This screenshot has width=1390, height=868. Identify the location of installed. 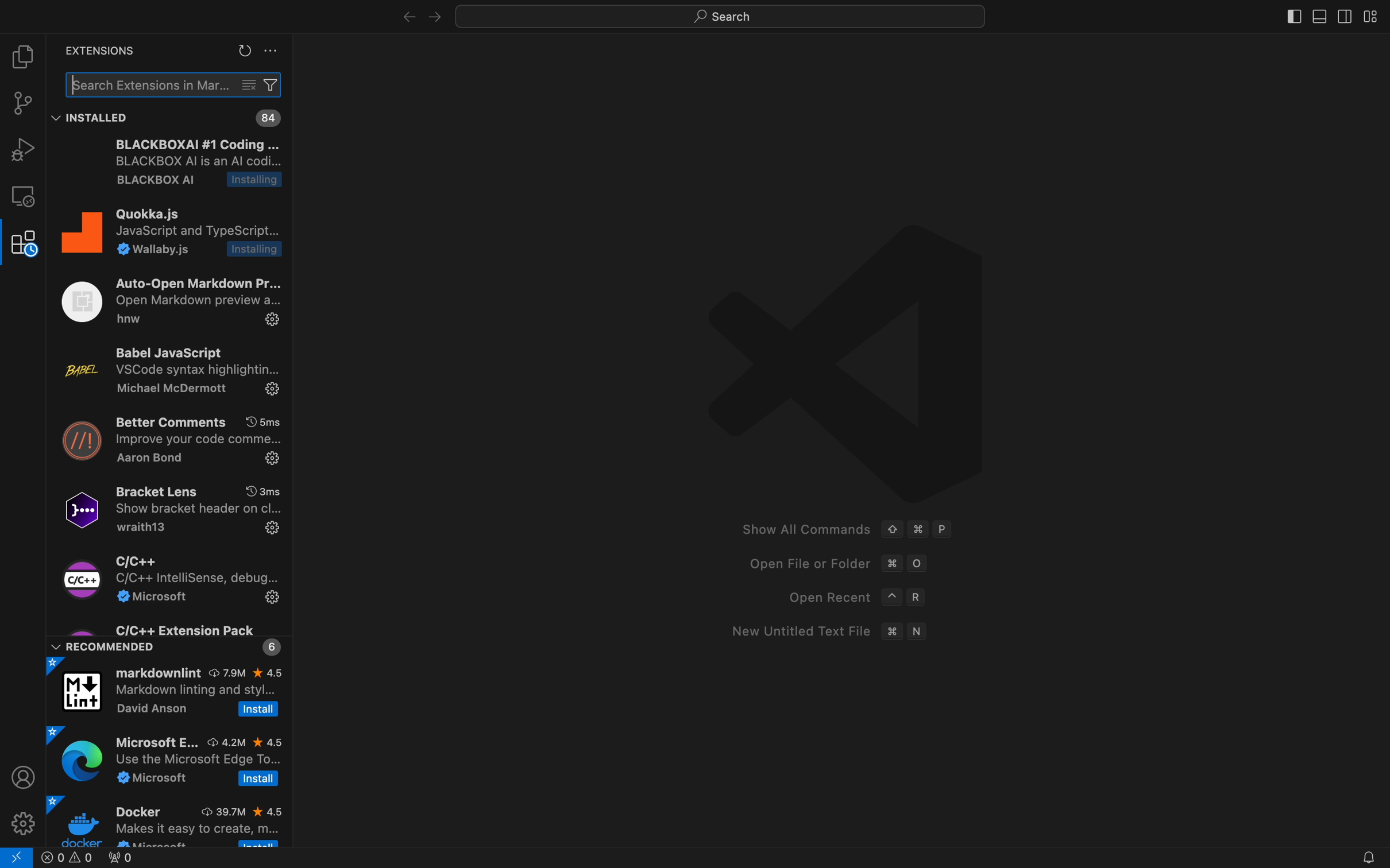
(95, 118).